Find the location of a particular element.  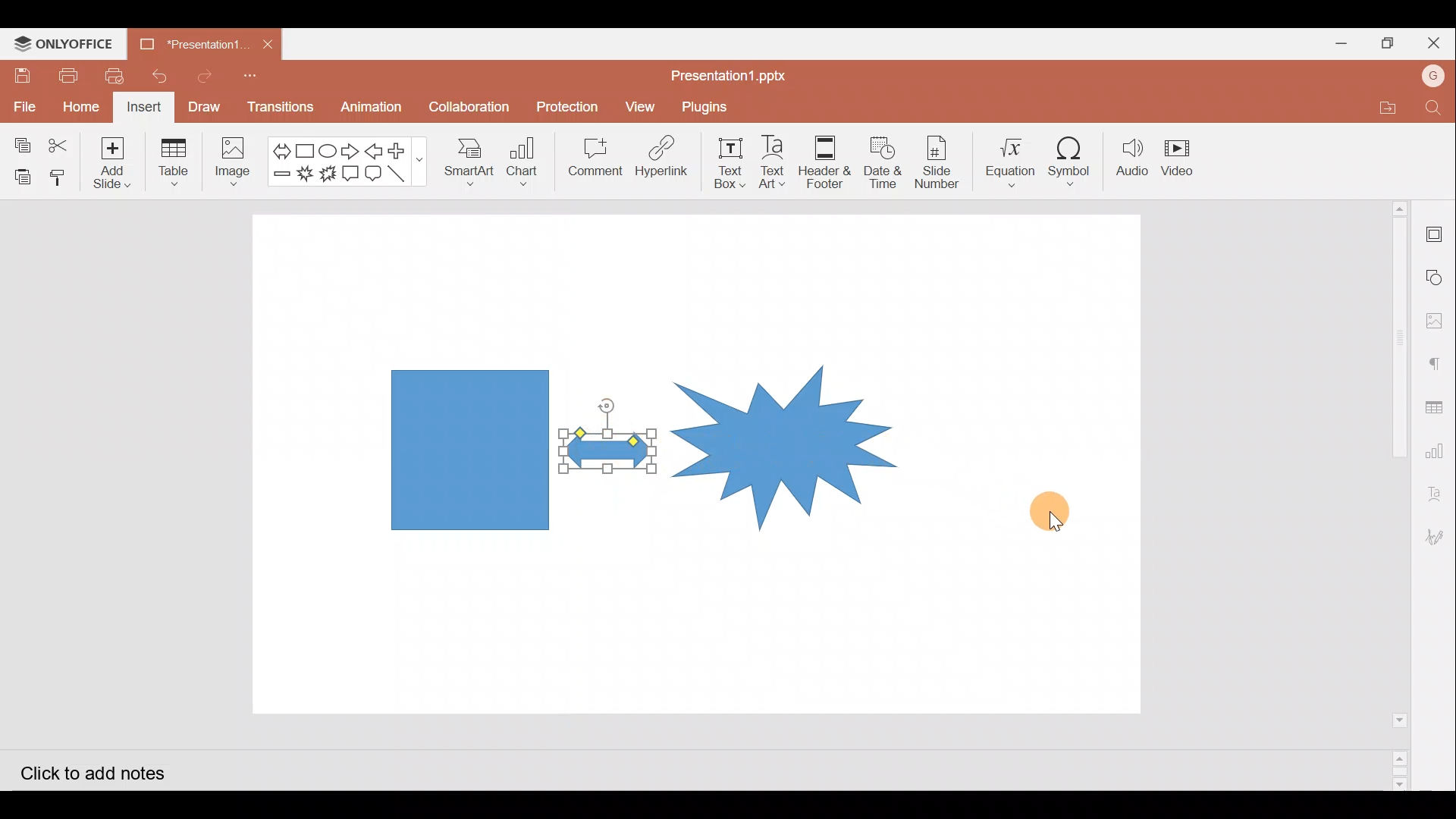

Scroll bar is located at coordinates (1393, 494).